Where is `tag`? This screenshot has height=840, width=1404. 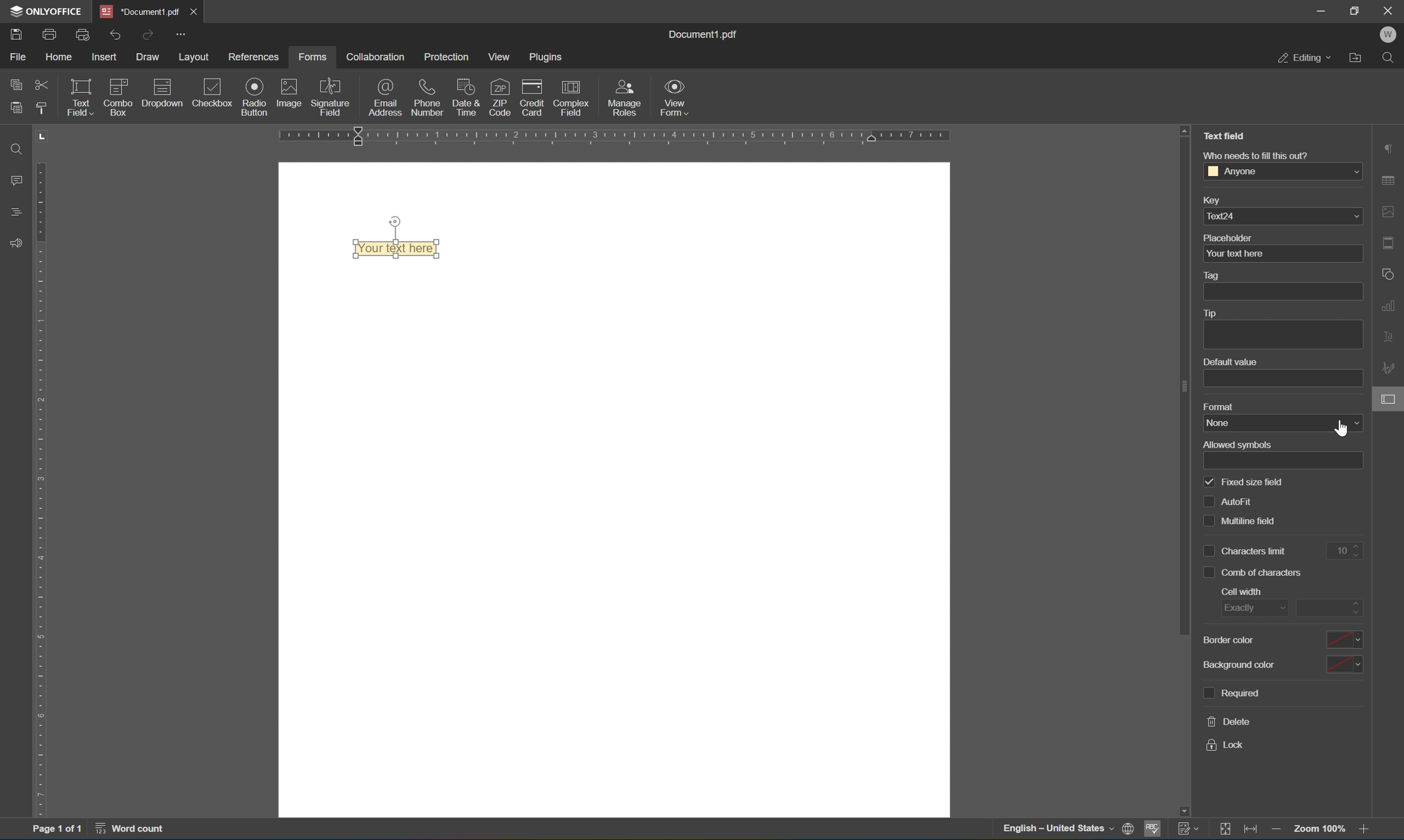
tag is located at coordinates (1214, 276).